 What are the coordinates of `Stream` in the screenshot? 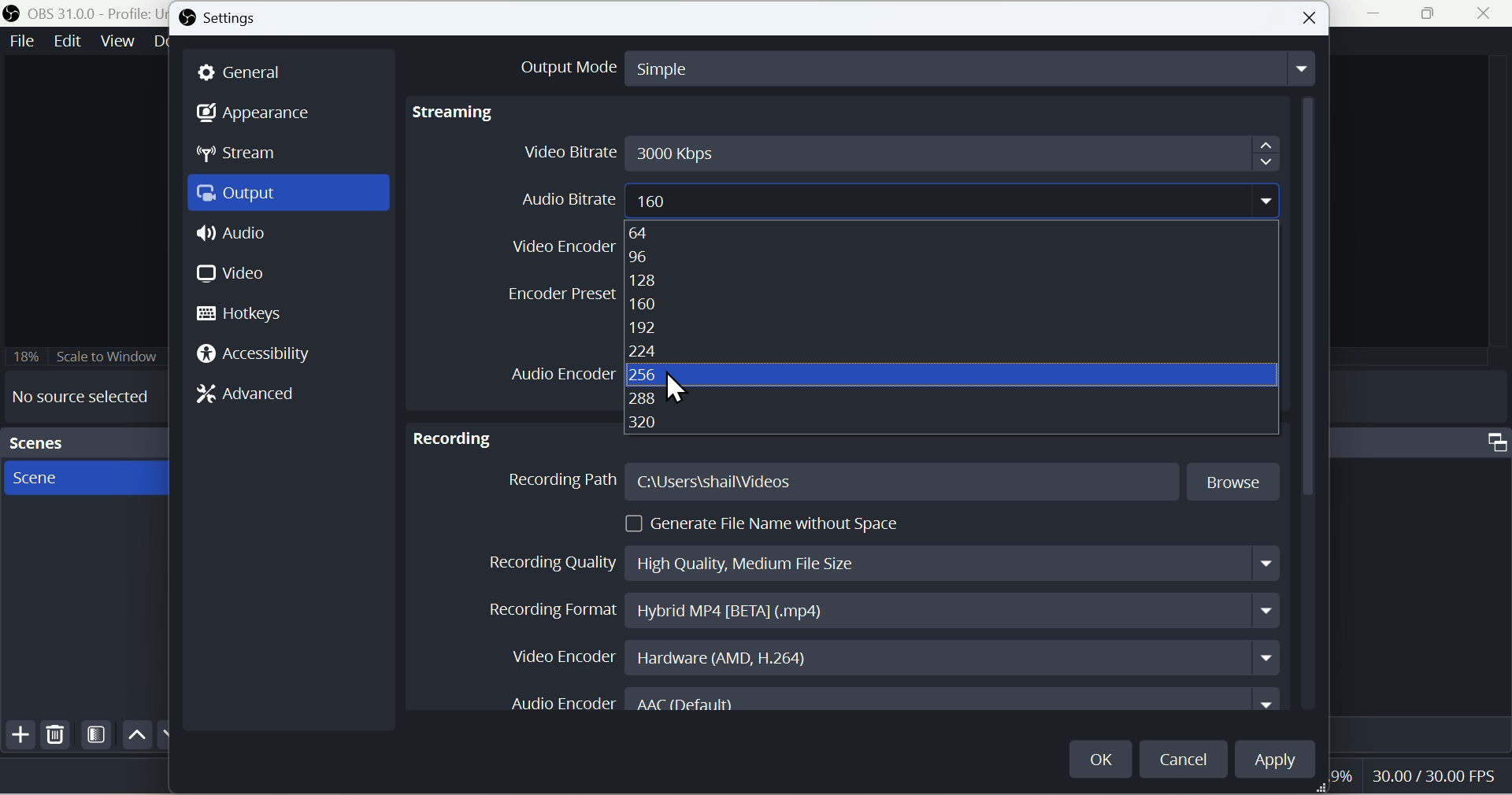 It's located at (250, 157).